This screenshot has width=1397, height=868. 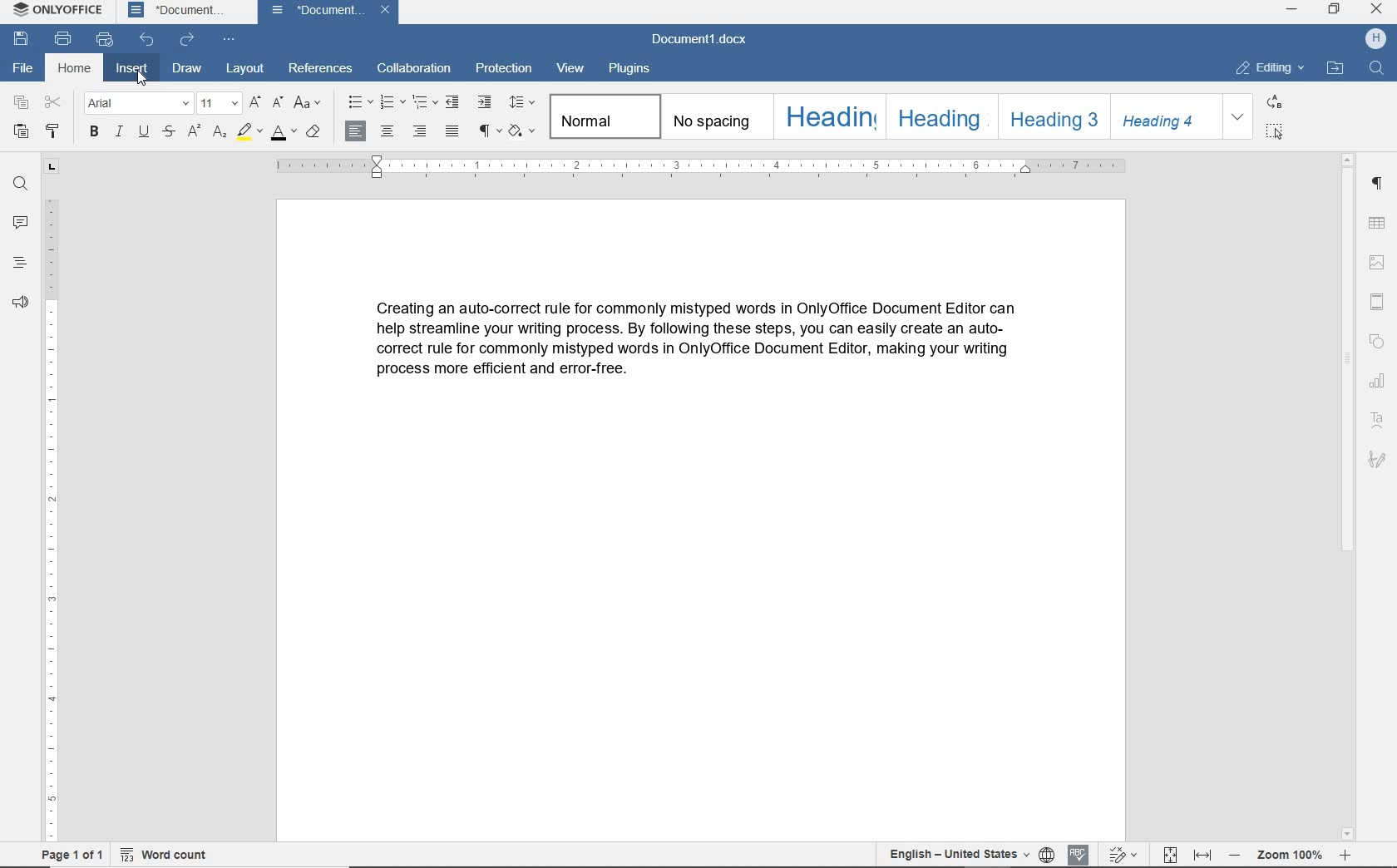 I want to click on italic, so click(x=119, y=131).